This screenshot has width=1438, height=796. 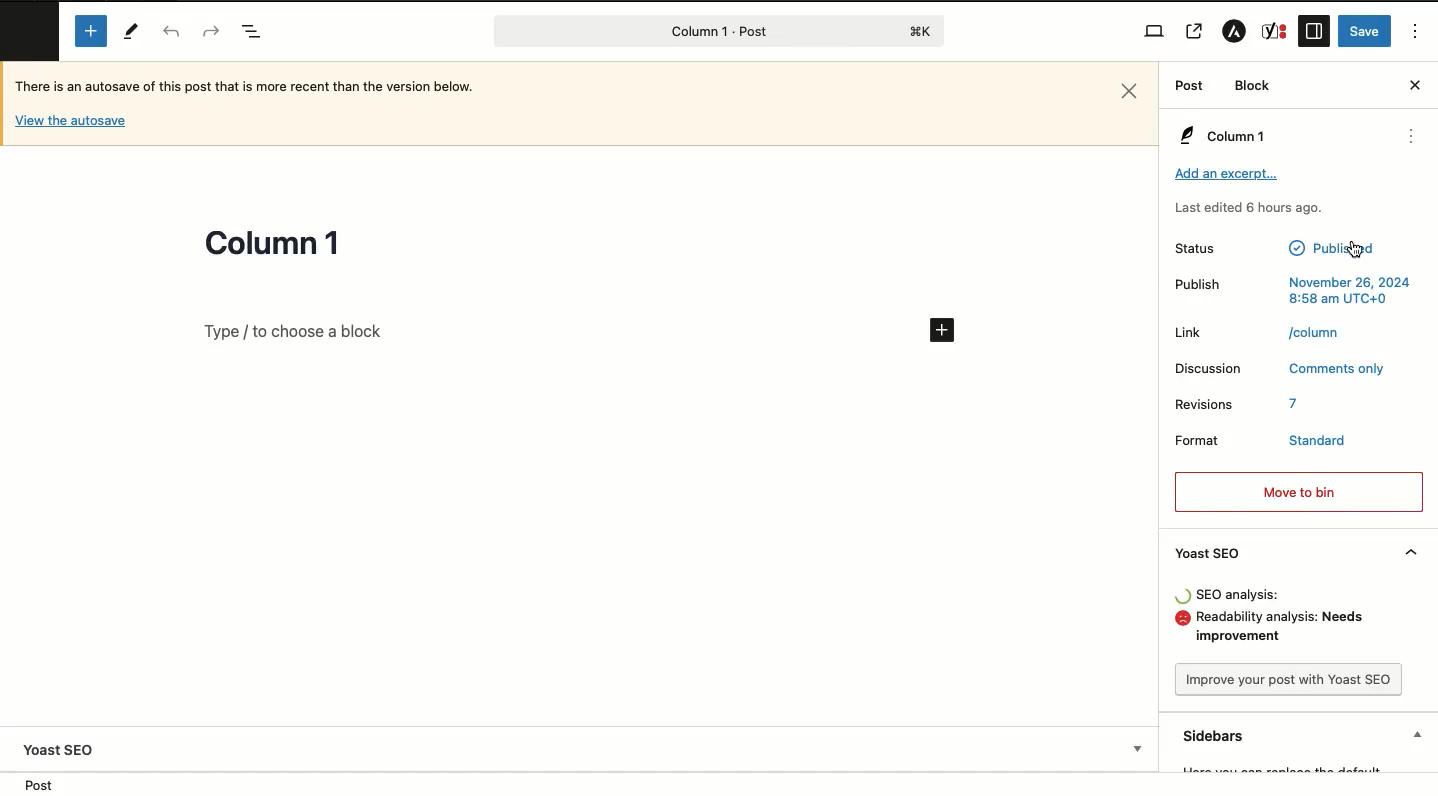 What do you see at coordinates (723, 785) in the screenshot?
I see `Post` at bounding box center [723, 785].